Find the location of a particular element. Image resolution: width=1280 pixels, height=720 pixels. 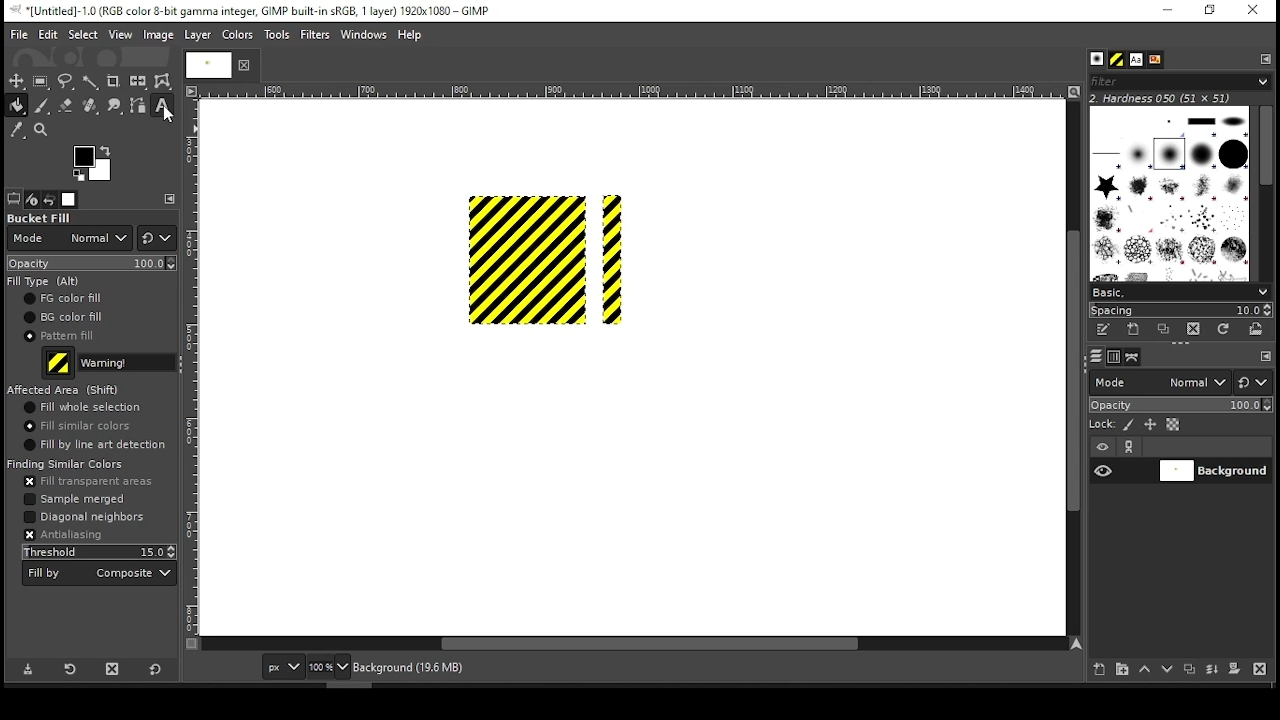

background (28.0mb) is located at coordinates (413, 668).